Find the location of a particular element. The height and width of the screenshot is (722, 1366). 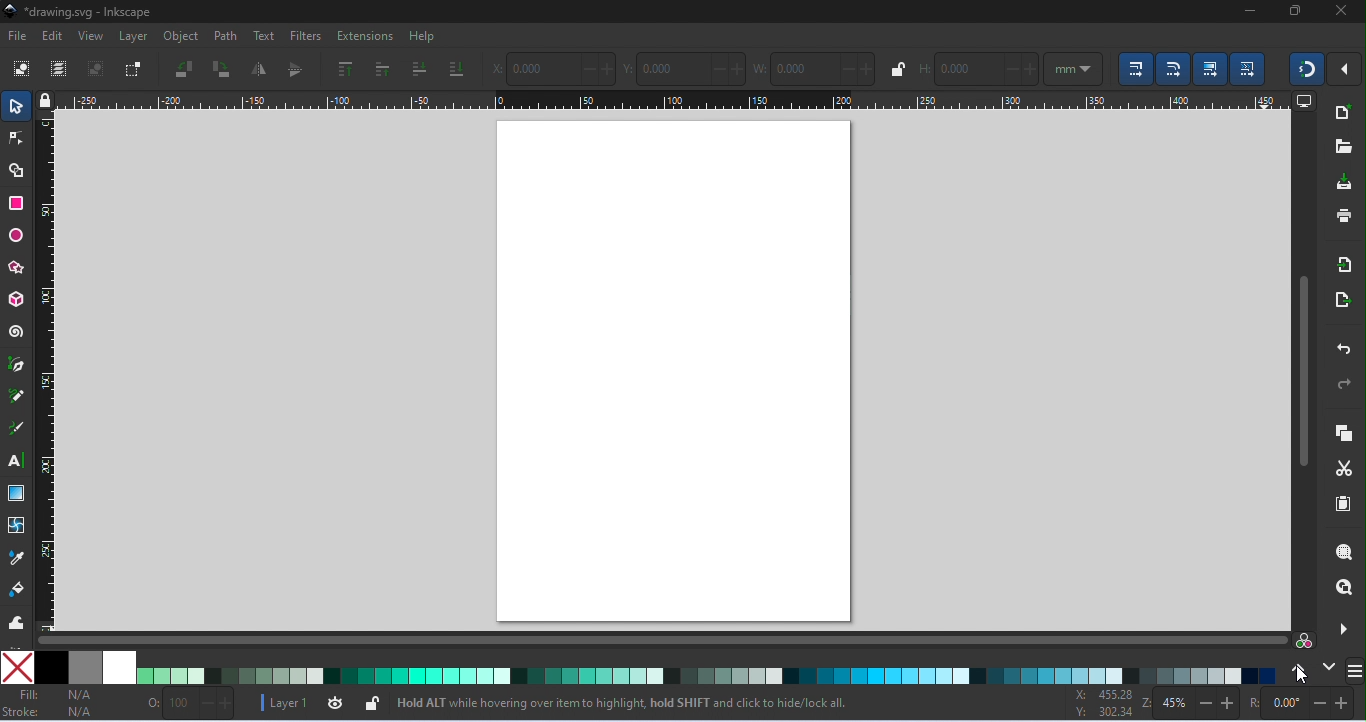

vertical scroll bar is located at coordinates (1302, 368).